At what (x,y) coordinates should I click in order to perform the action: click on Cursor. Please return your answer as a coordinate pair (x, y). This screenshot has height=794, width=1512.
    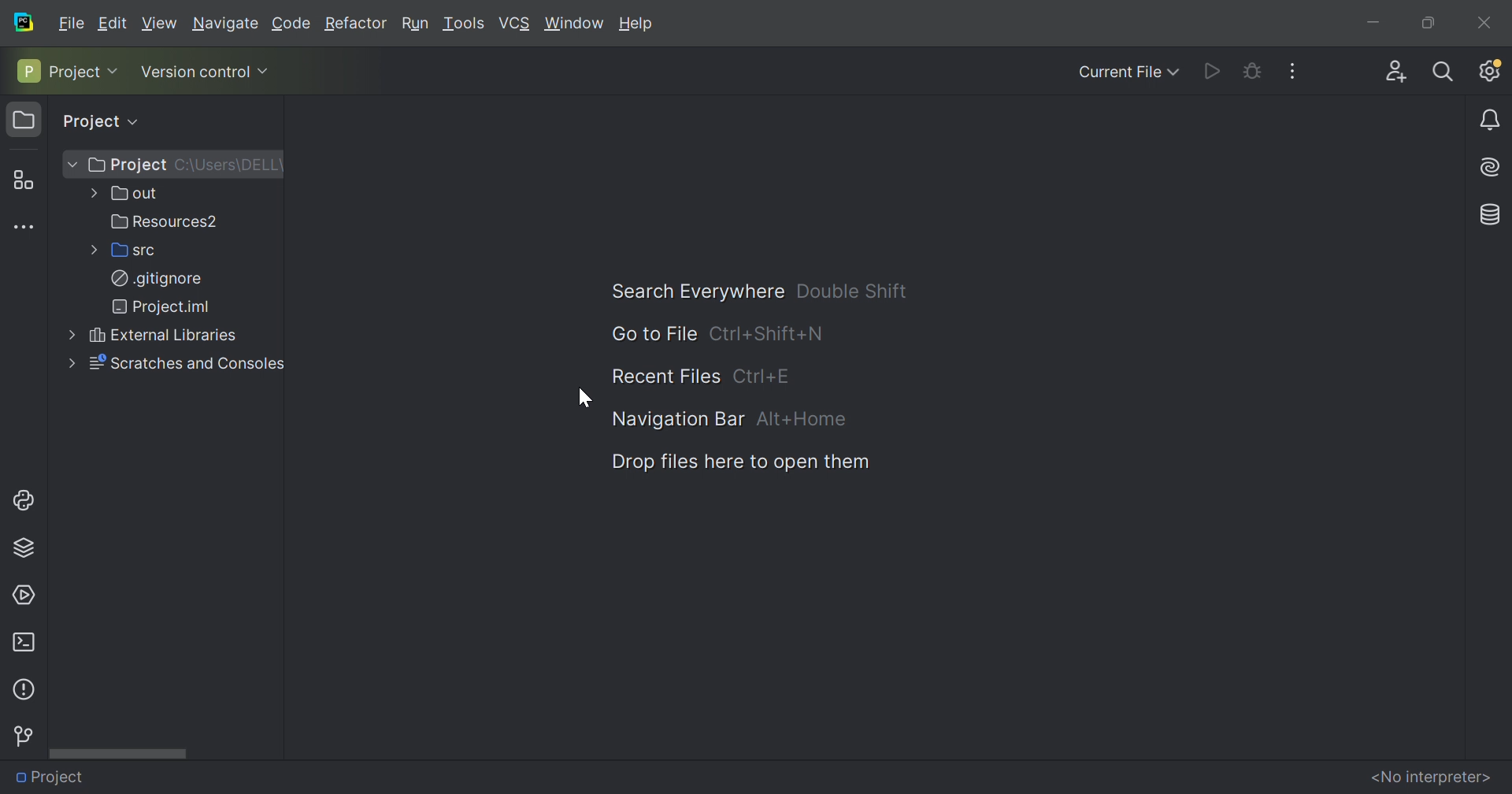
    Looking at the image, I should click on (582, 399).